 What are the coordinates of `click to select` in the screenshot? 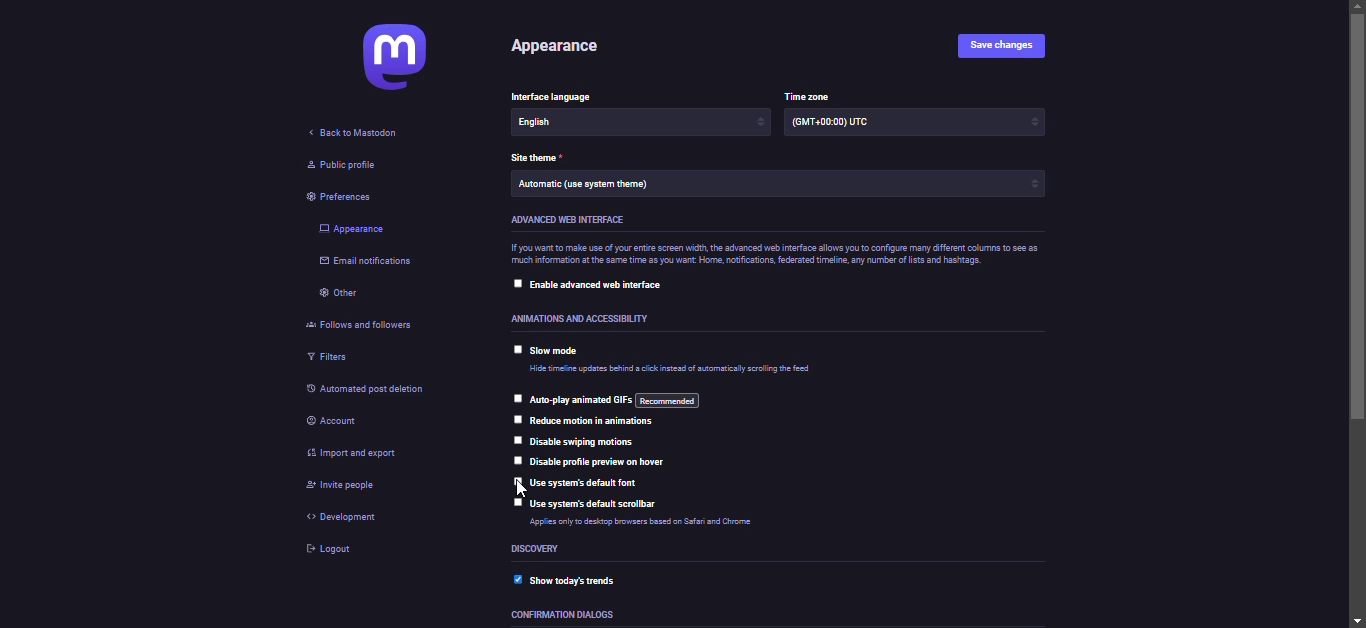 It's located at (517, 398).